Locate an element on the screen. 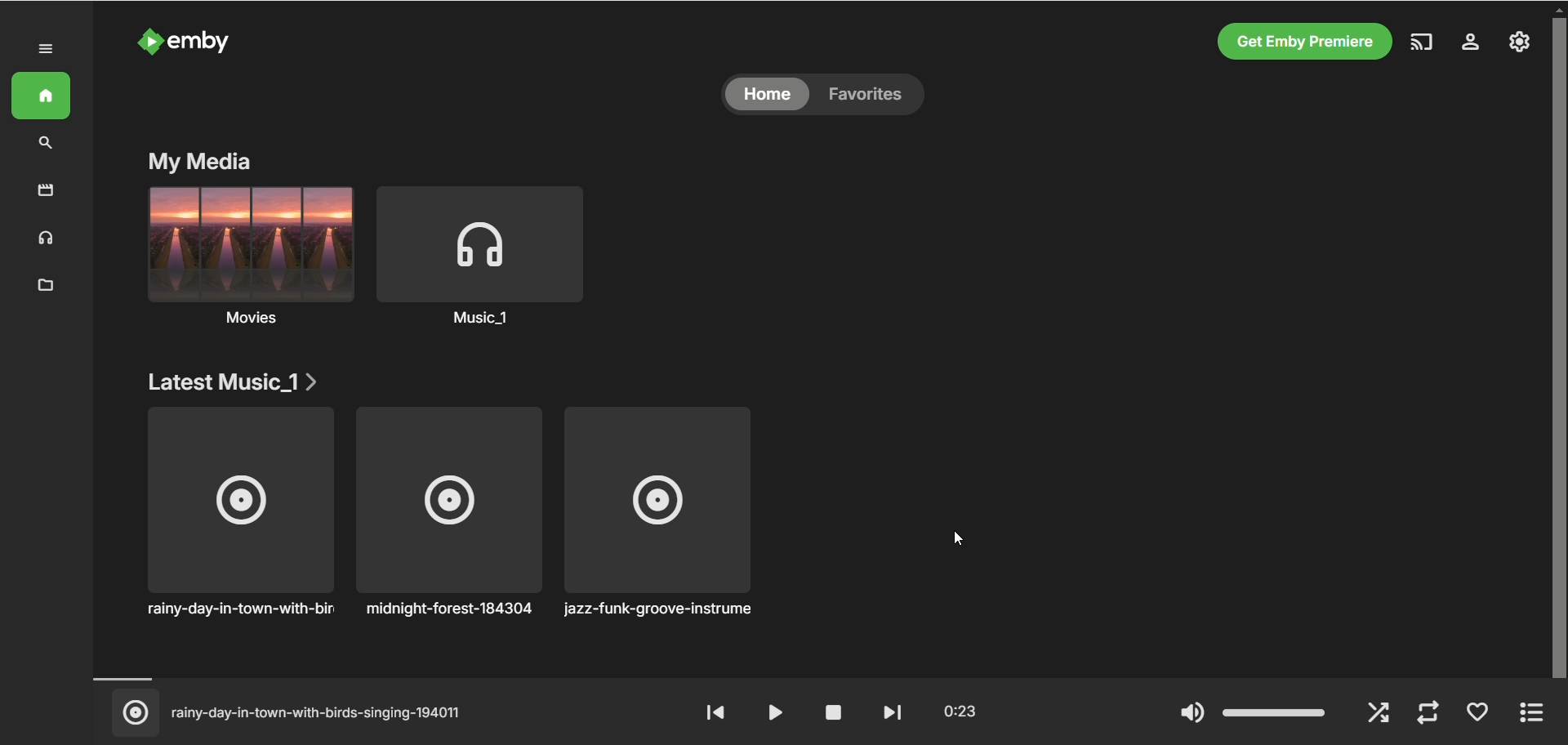  favorite is located at coordinates (1479, 712).